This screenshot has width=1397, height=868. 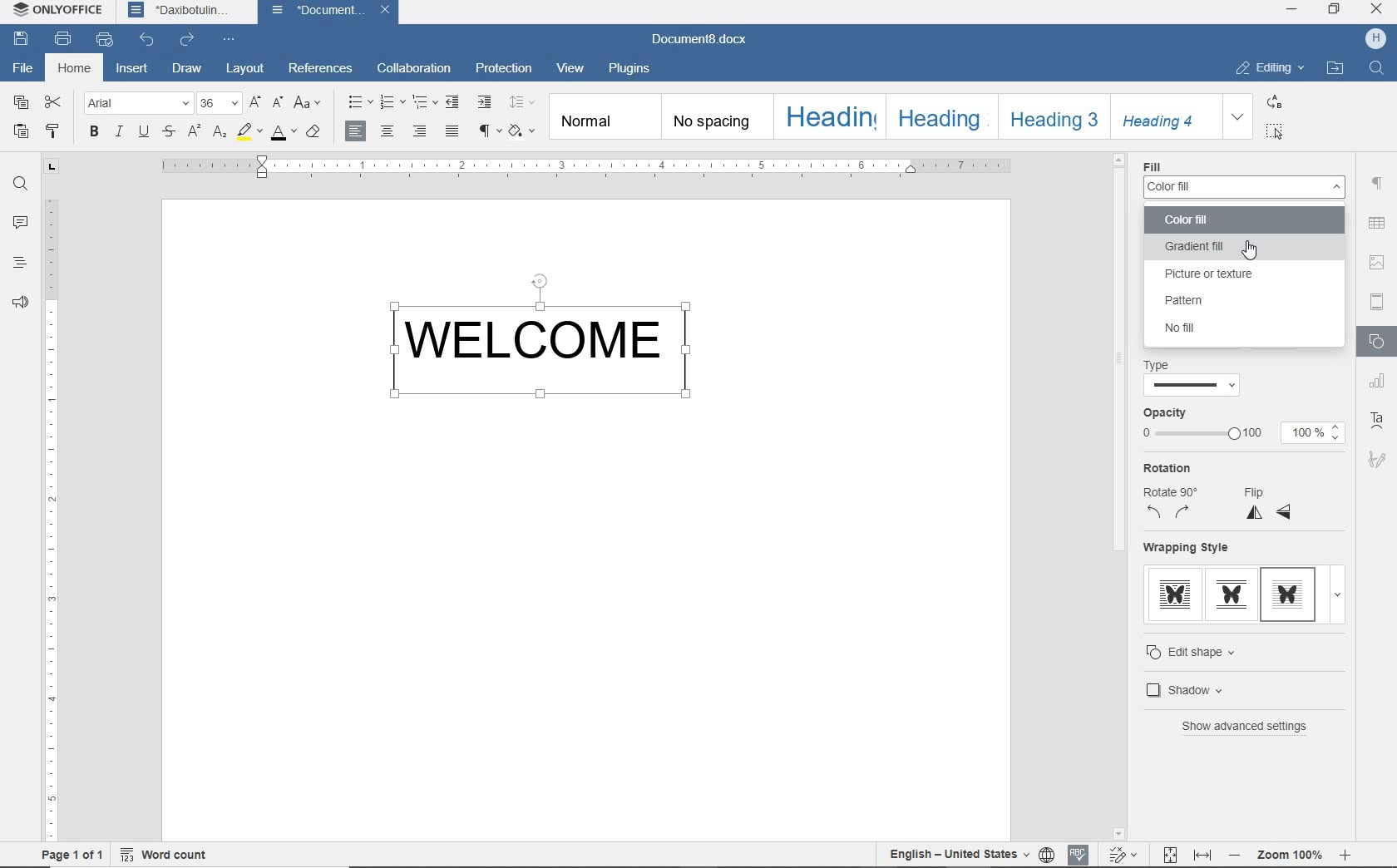 What do you see at coordinates (250, 133) in the screenshot?
I see `HIGHLIGHT COLOR` at bounding box center [250, 133].